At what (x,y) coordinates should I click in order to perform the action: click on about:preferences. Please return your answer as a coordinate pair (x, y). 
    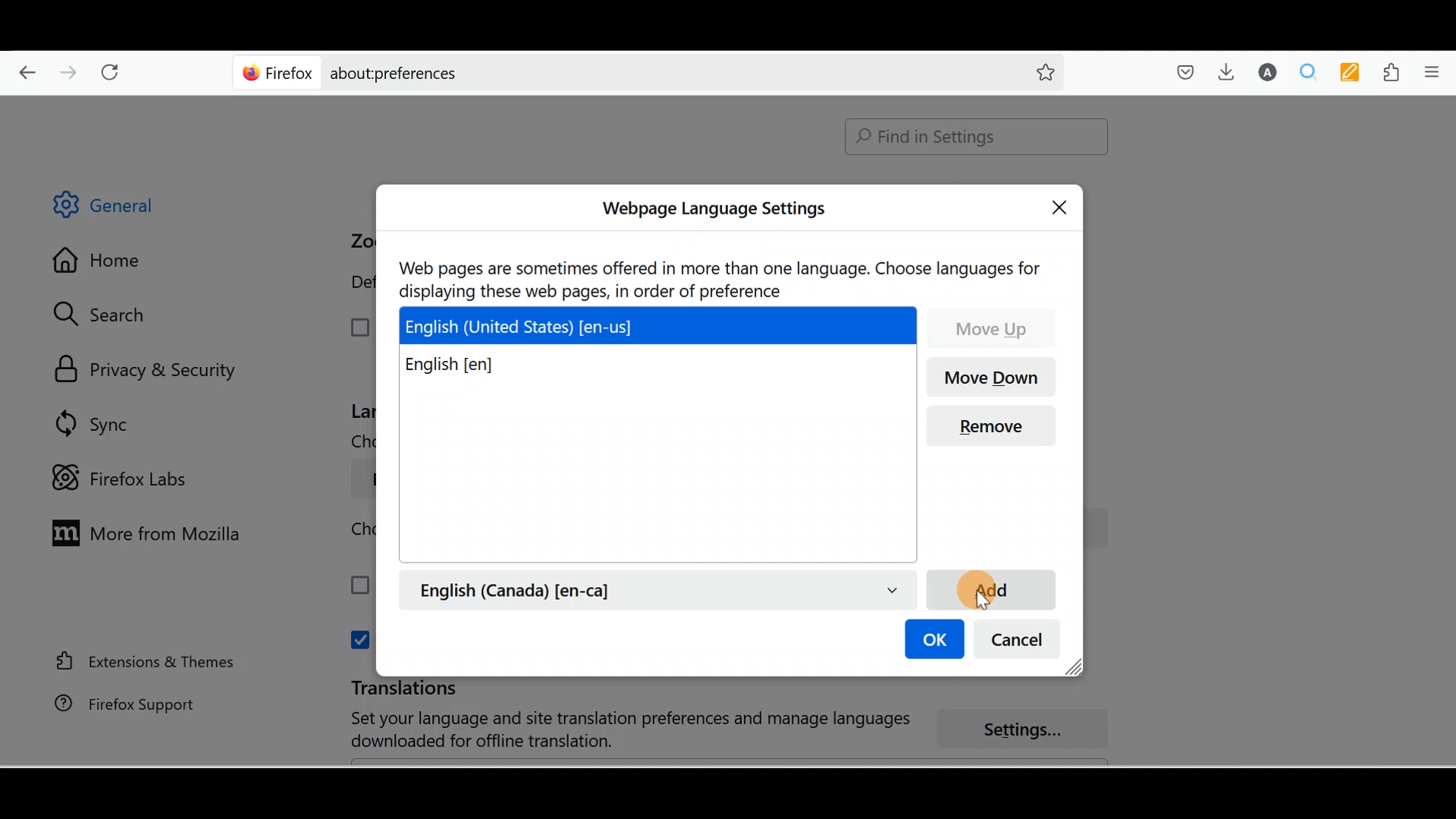
    Looking at the image, I should click on (605, 71).